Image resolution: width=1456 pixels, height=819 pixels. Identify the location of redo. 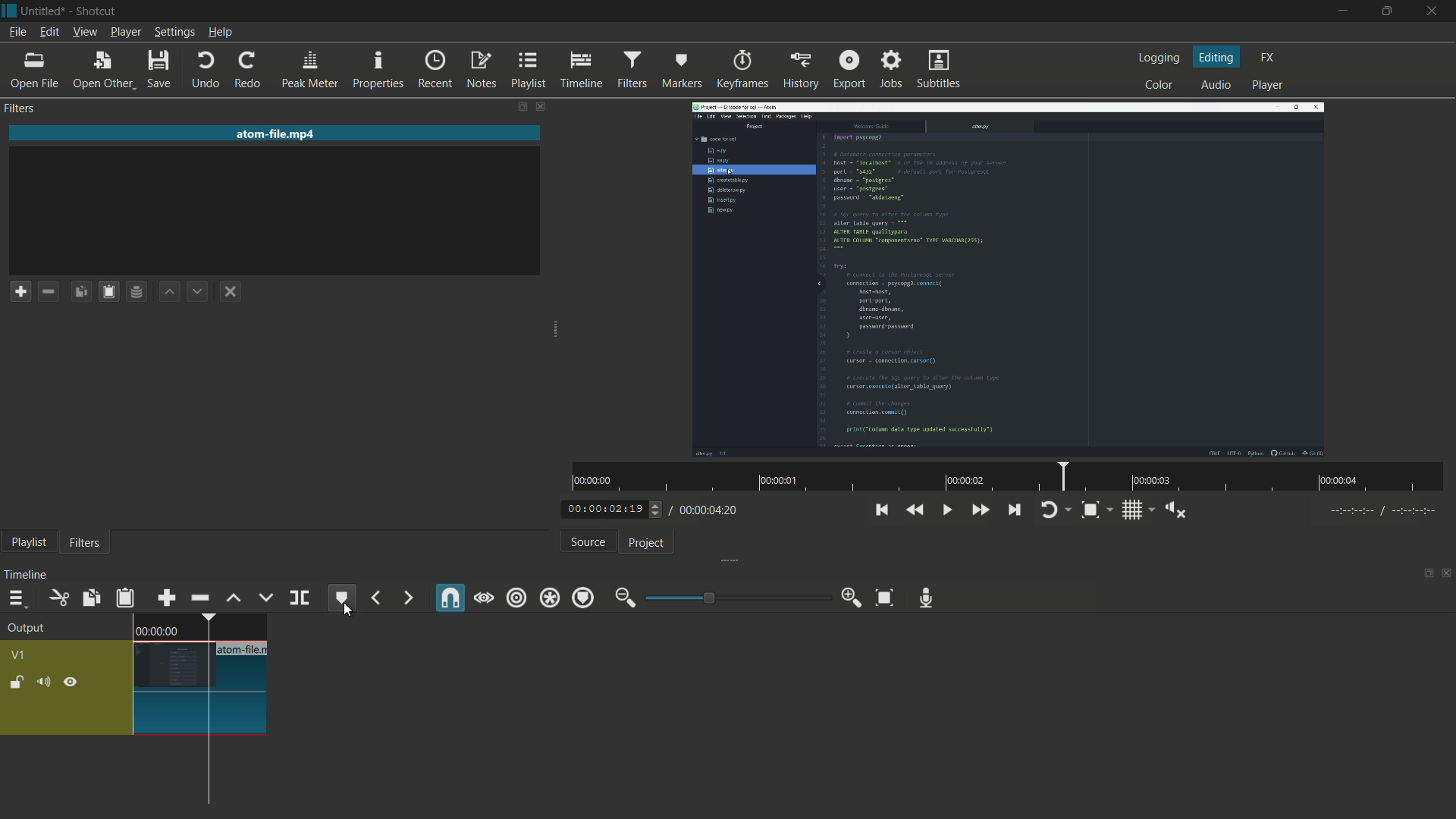
(246, 71).